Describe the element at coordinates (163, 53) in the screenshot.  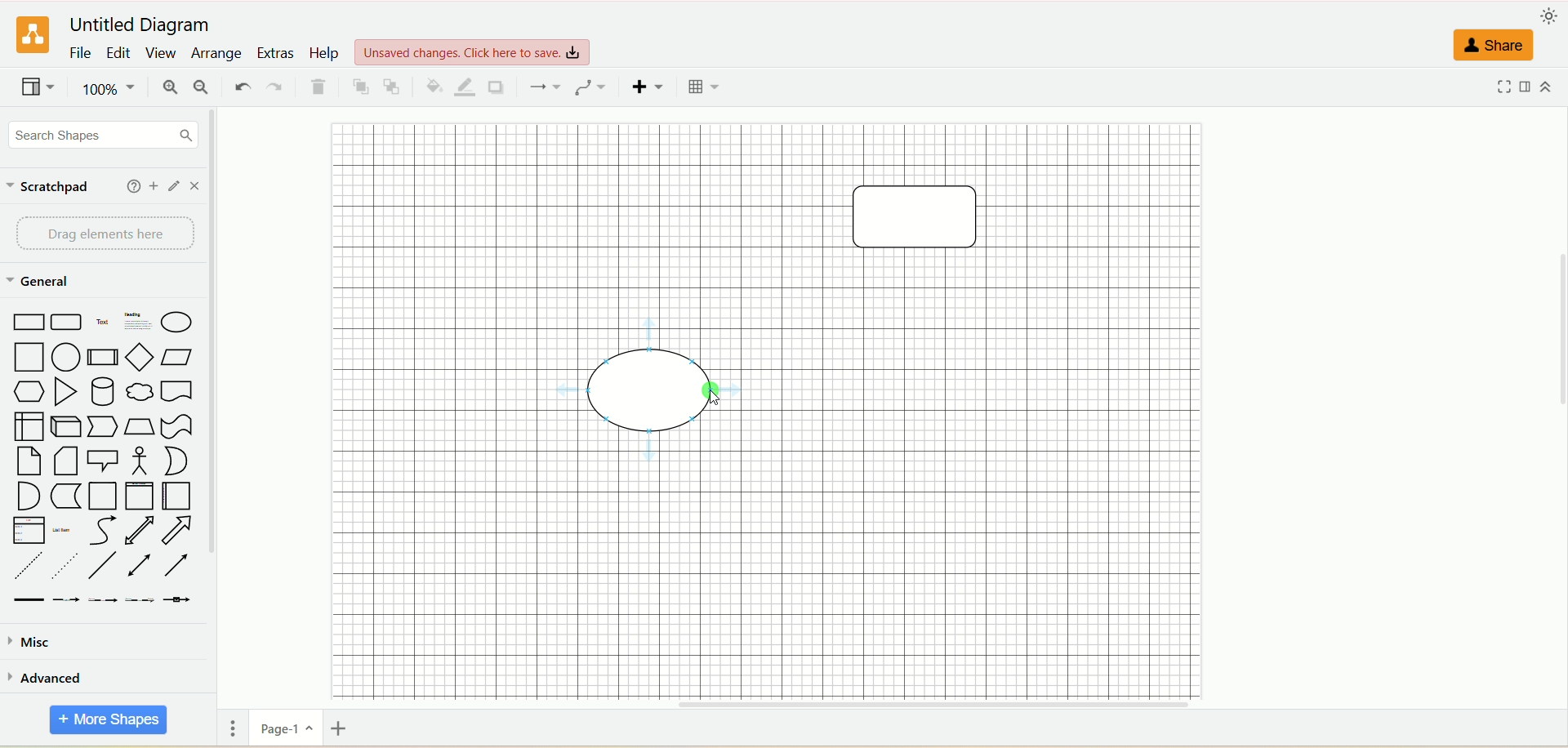
I see `view` at that location.